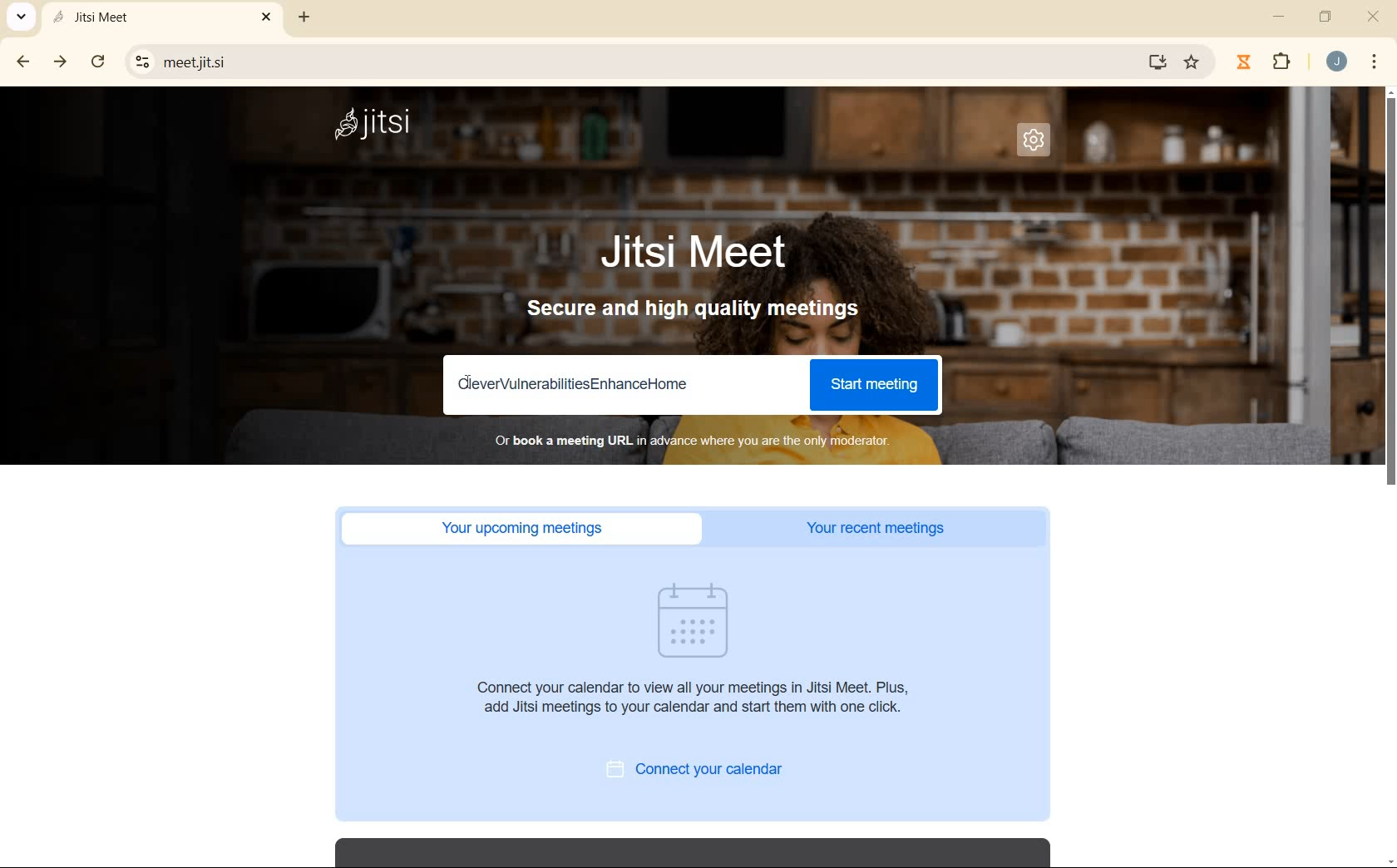  I want to click on MINIMIZE, so click(1276, 17).